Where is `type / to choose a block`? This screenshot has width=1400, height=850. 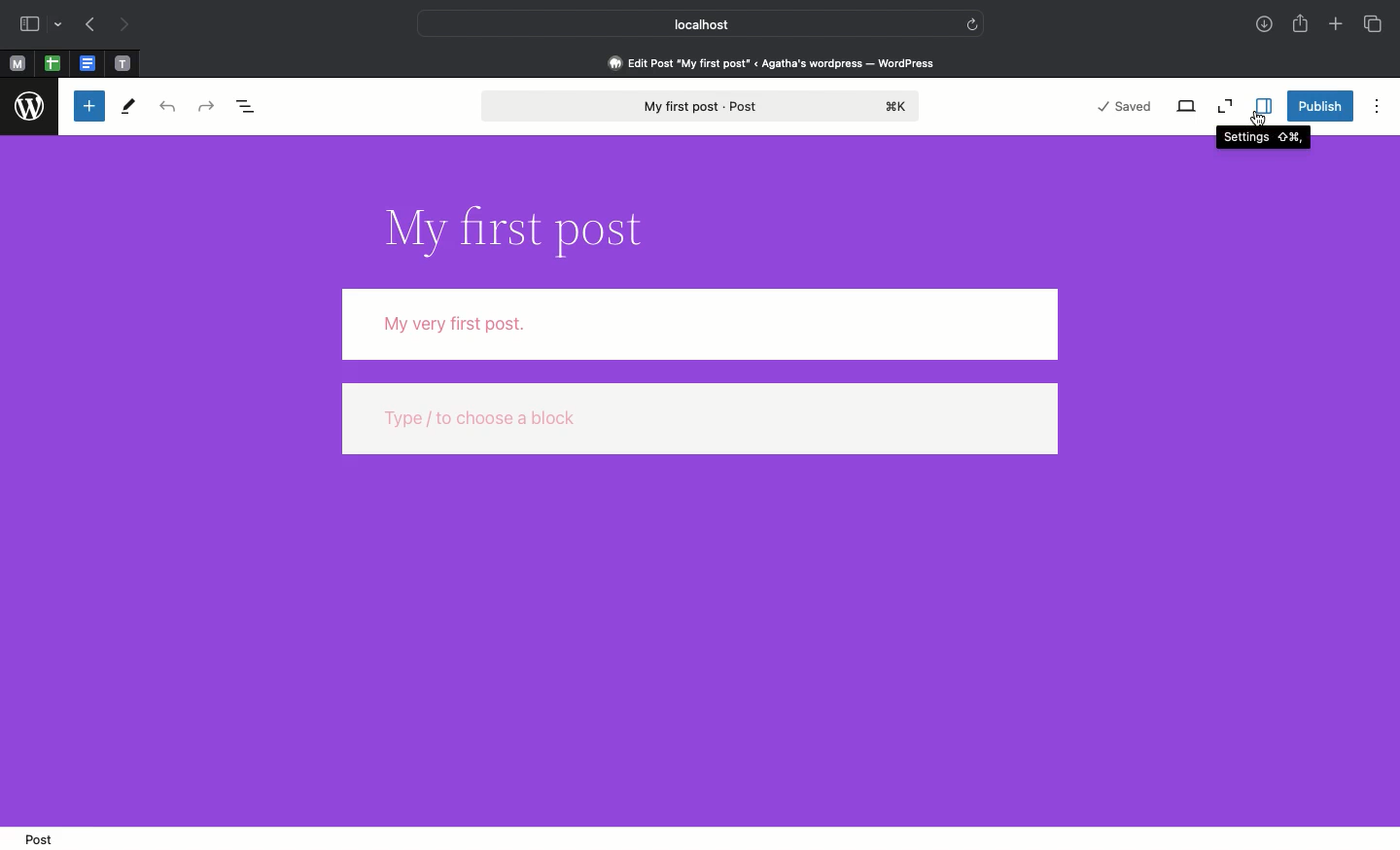
type / to choose a block is located at coordinates (698, 417).